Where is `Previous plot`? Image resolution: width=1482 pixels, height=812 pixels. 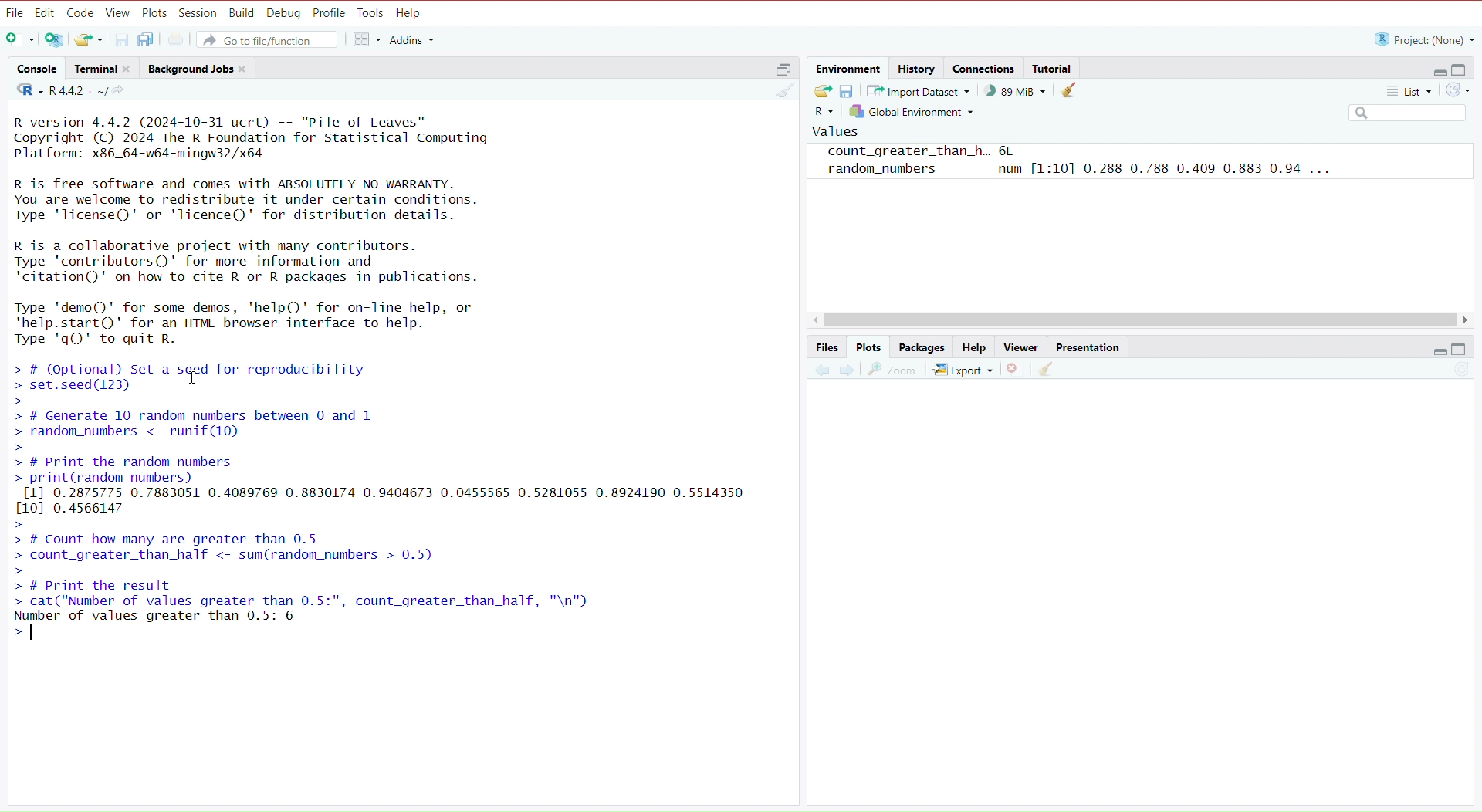
Previous plot is located at coordinates (822, 367).